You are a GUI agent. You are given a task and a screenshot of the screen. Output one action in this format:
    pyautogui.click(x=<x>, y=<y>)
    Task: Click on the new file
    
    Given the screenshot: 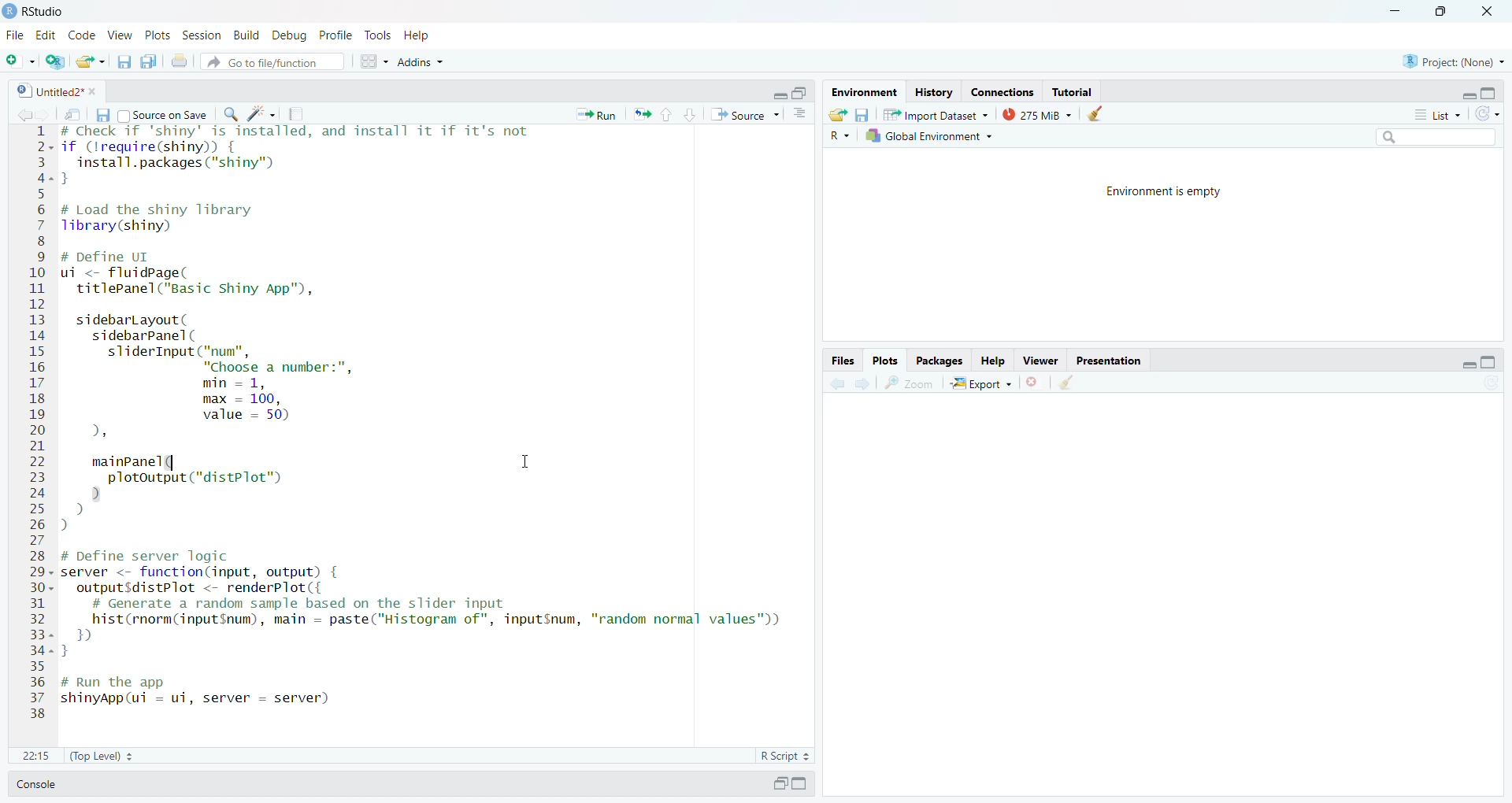 What is the action you would take?
    pyautogui.click(x=21, y=61)
    